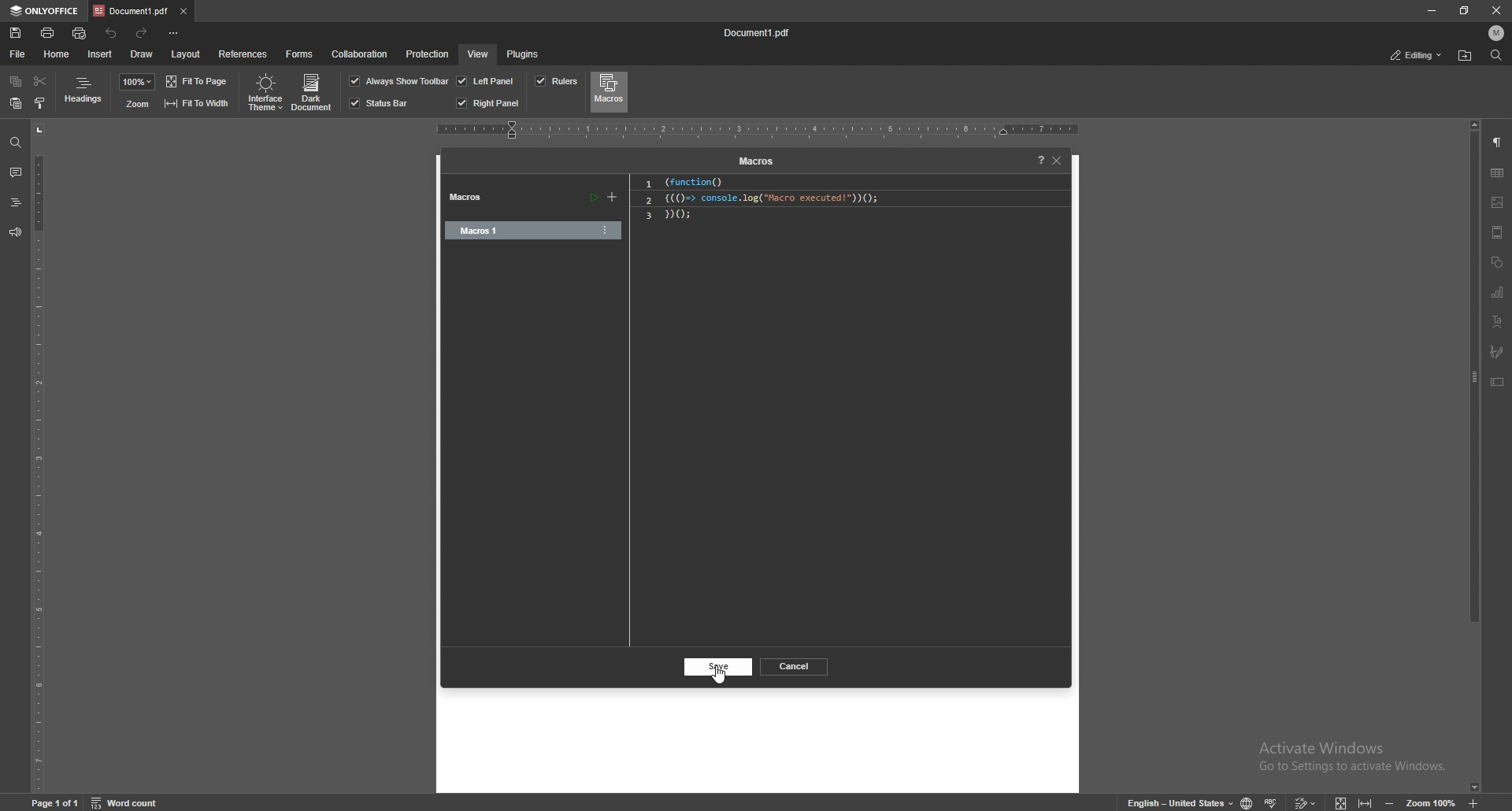 The image size is (1512, 811). I want to click on comment, so click(15, 172).